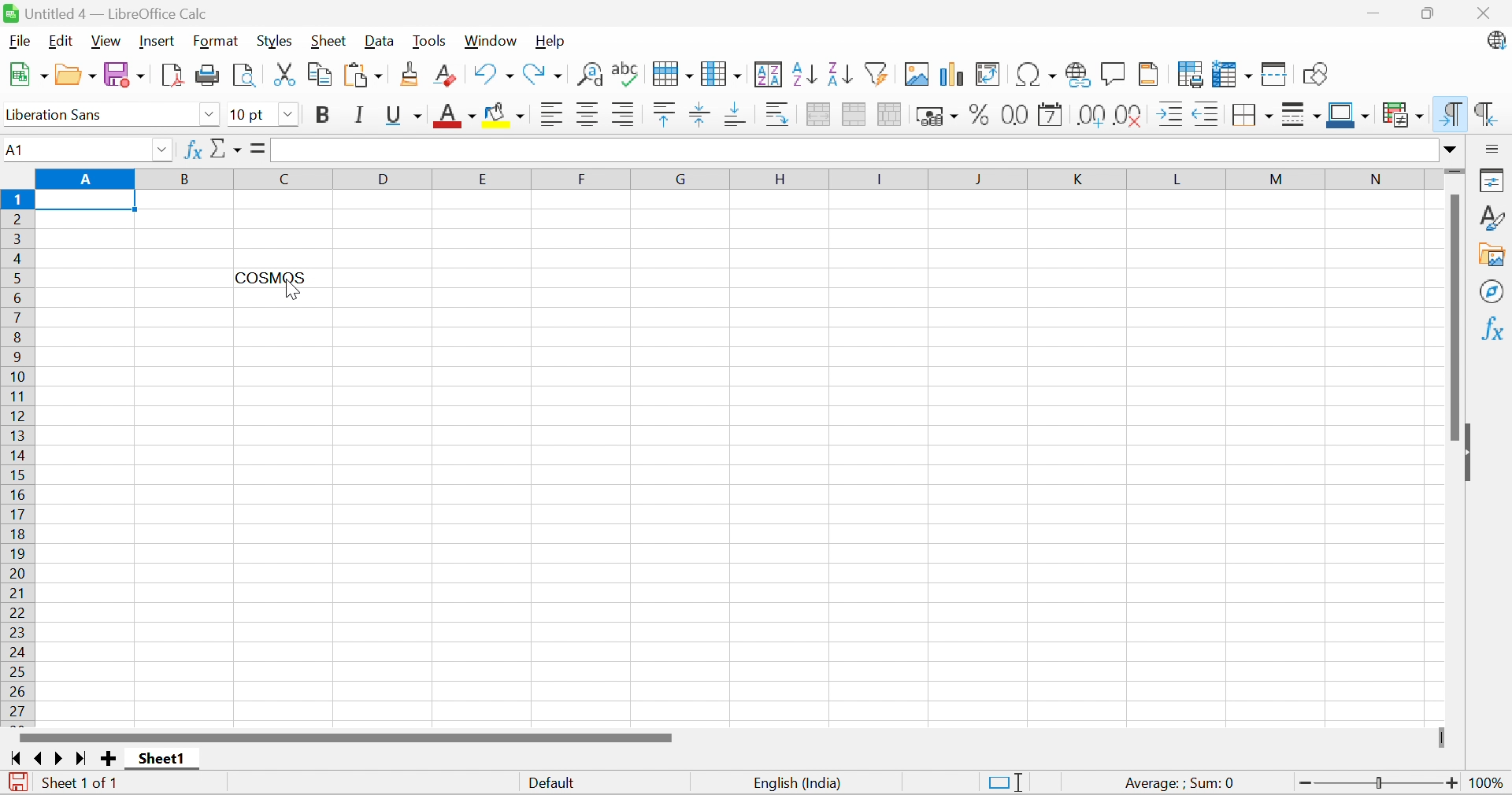 The height and width of the screenshot is (795, 1512). Describe the element at coordinates (20, 41) in the screenshot. I see `File` at that location.